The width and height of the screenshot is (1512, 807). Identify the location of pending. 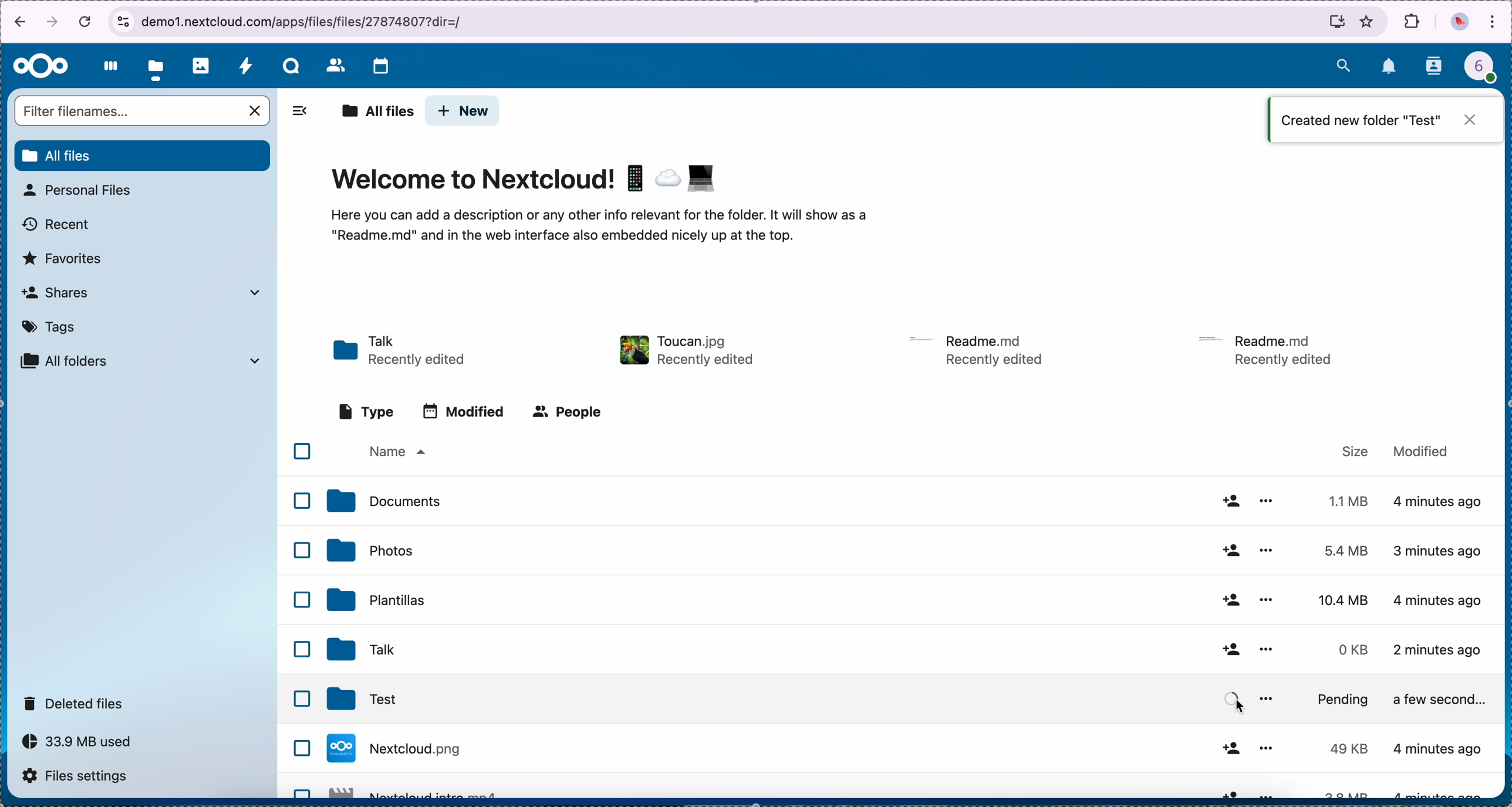
(1350, 703).